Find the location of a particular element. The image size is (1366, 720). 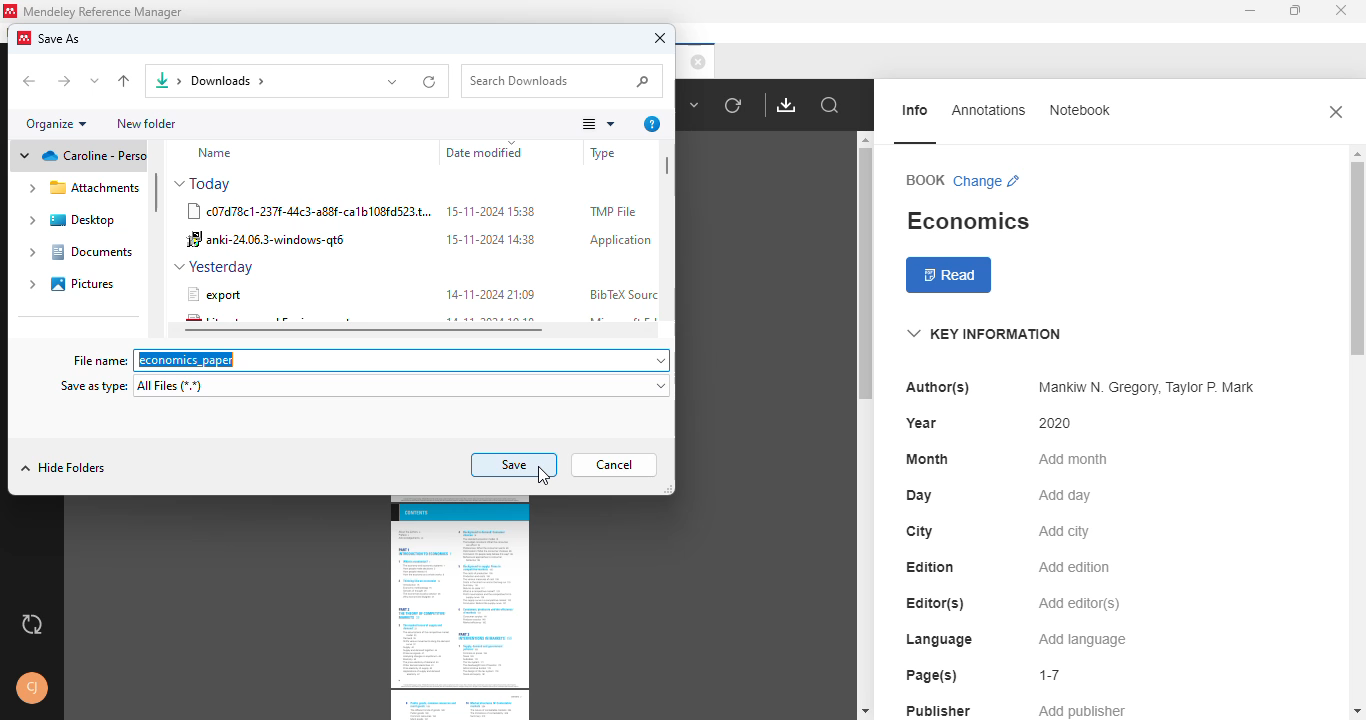

vertical scroll bar is located at coordinates (668, 164).